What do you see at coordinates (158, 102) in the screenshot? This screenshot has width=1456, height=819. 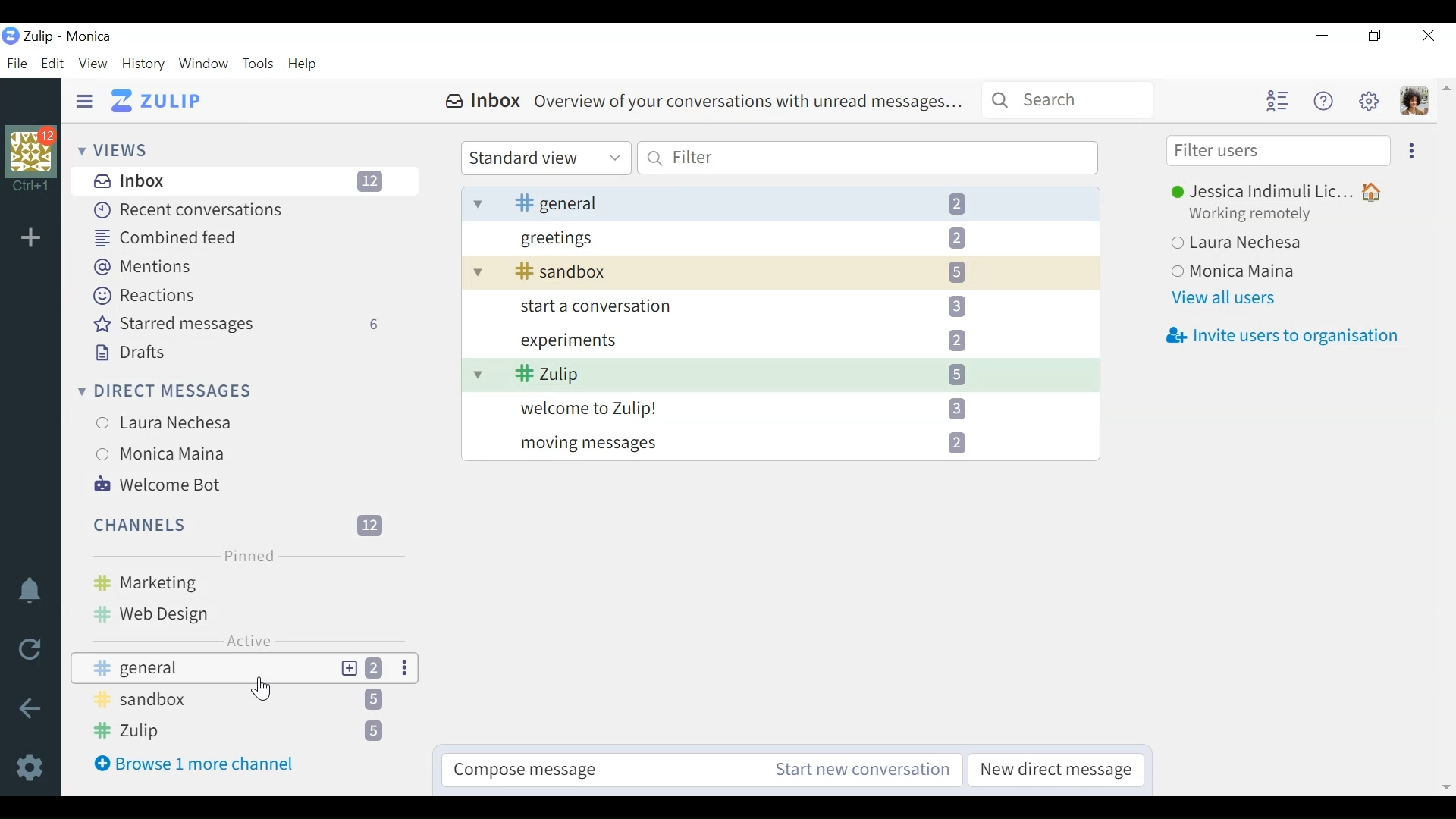 I see `Zulip` at bounding box center [158, 102].